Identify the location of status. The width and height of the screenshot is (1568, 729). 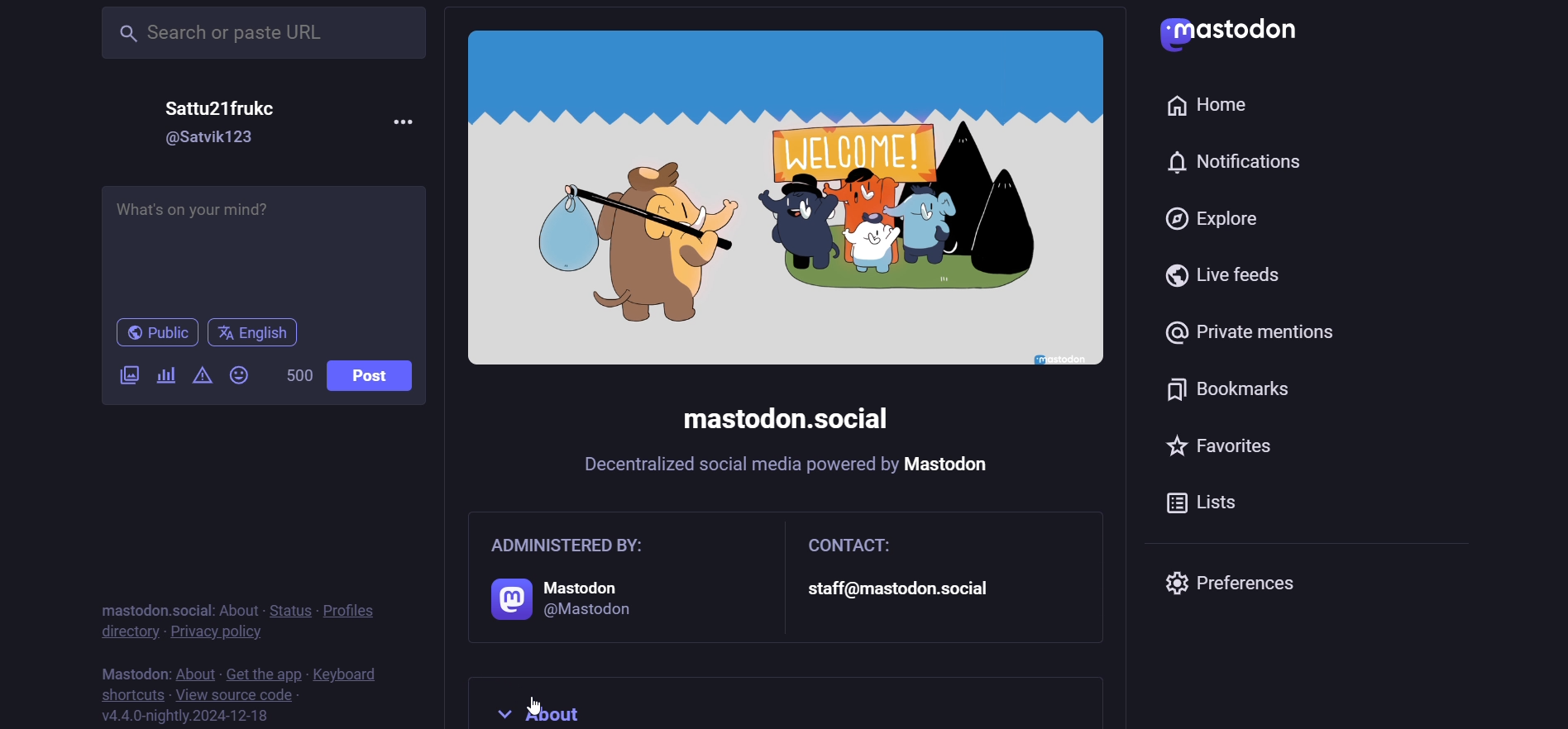
(287, 608).